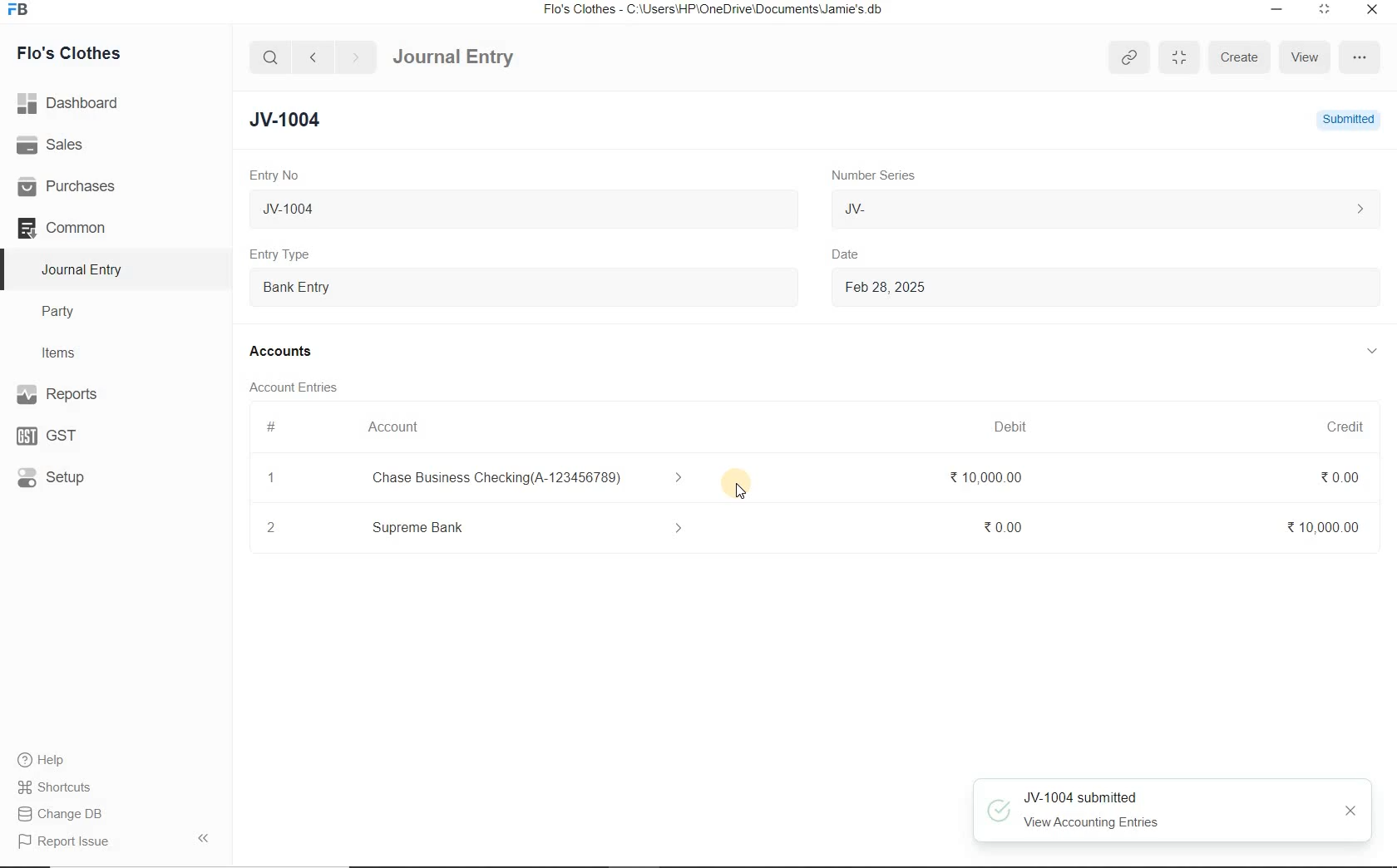 The image size is (1397, 868). What do you see at coordinates (1305, 56) in the screenshot?
I see `View` at bounding box center [1305, 56].